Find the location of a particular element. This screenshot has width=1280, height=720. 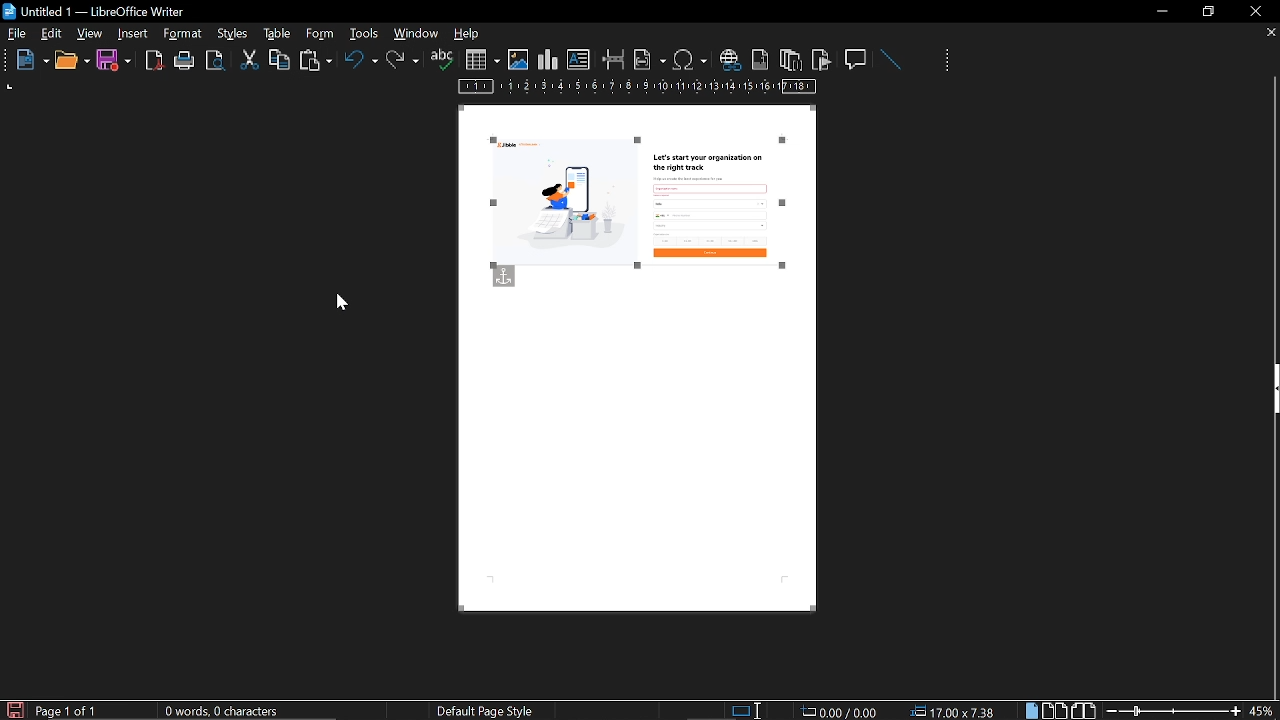

redo is located at coordinates (403, 60).